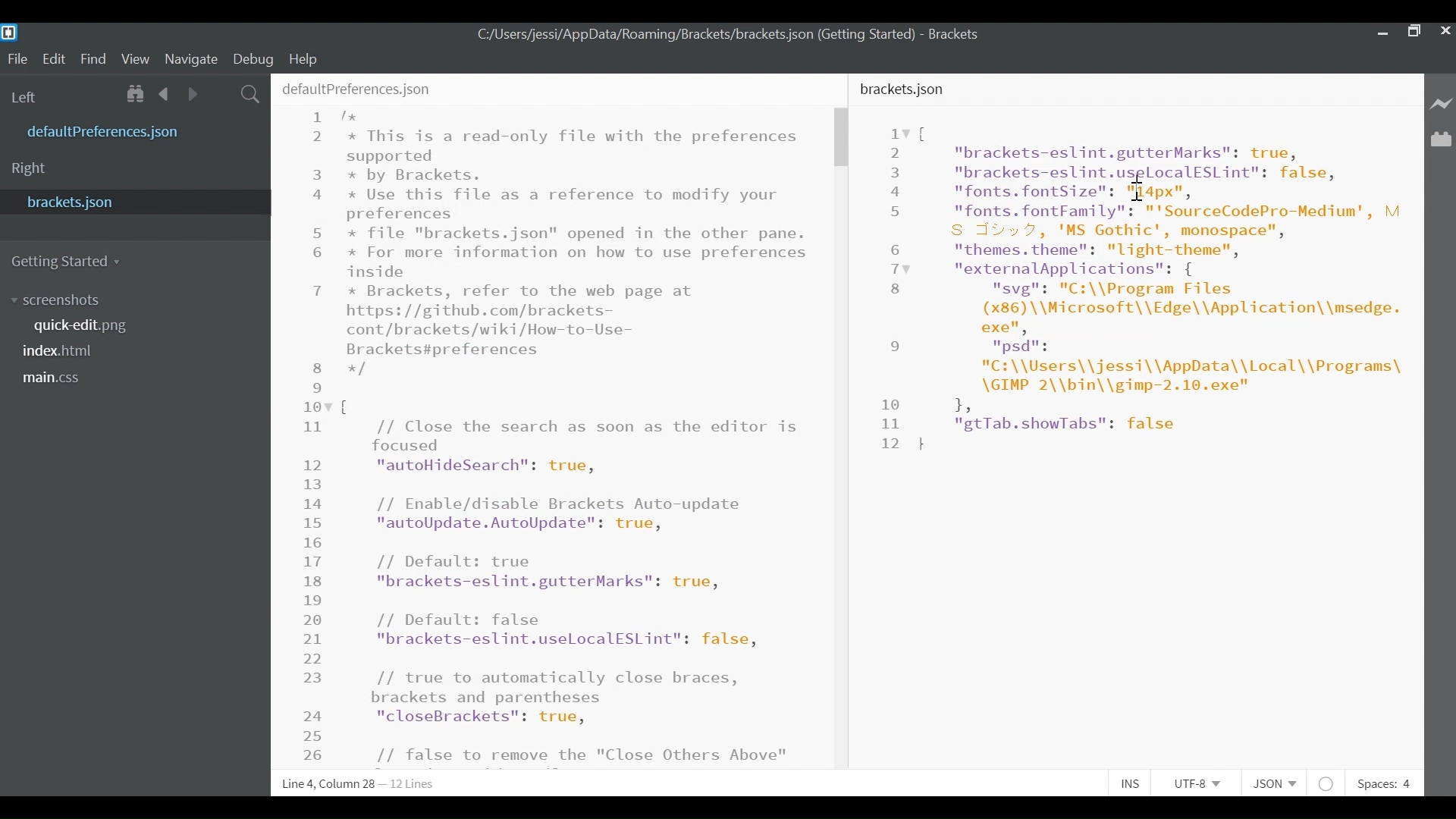  Describe the element at coordinates (33, 169) in the screenshot. I see `Right` at that location.